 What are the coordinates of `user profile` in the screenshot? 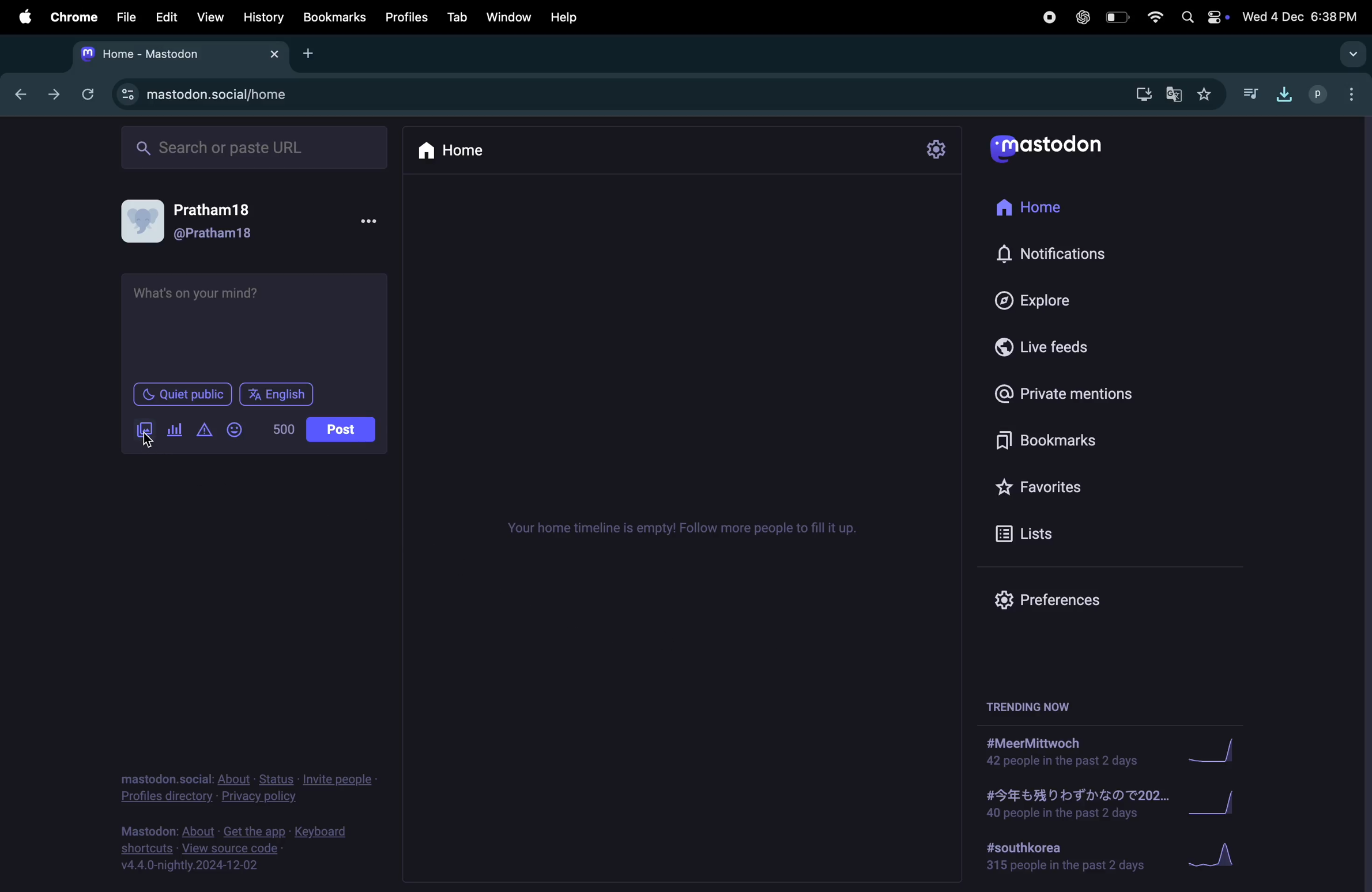 It's located at (201, 220).